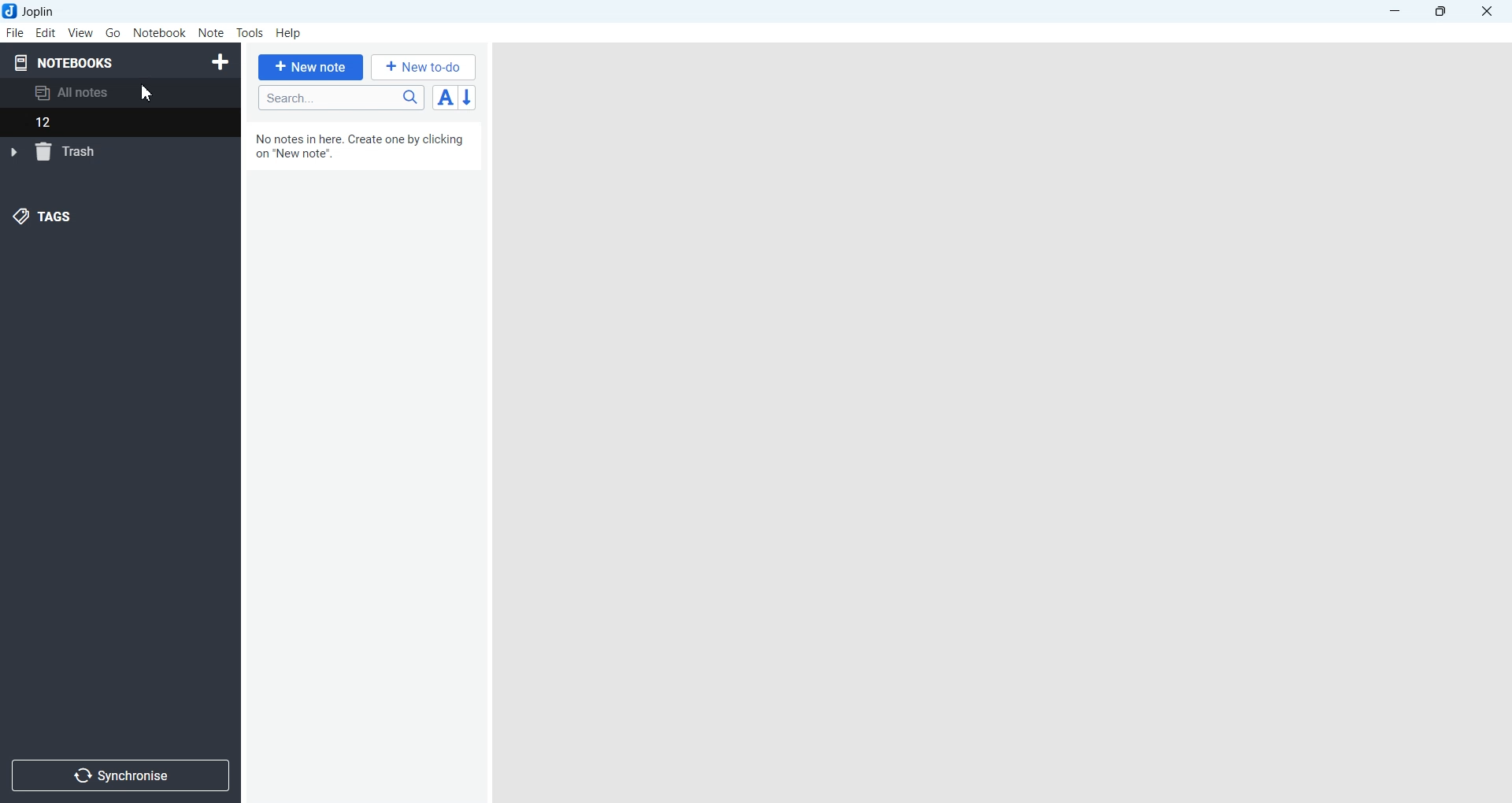  What do you see at coordinates (64, 62) in the screenshot?
I see `Notebooks` at bounding box center [64, 62].